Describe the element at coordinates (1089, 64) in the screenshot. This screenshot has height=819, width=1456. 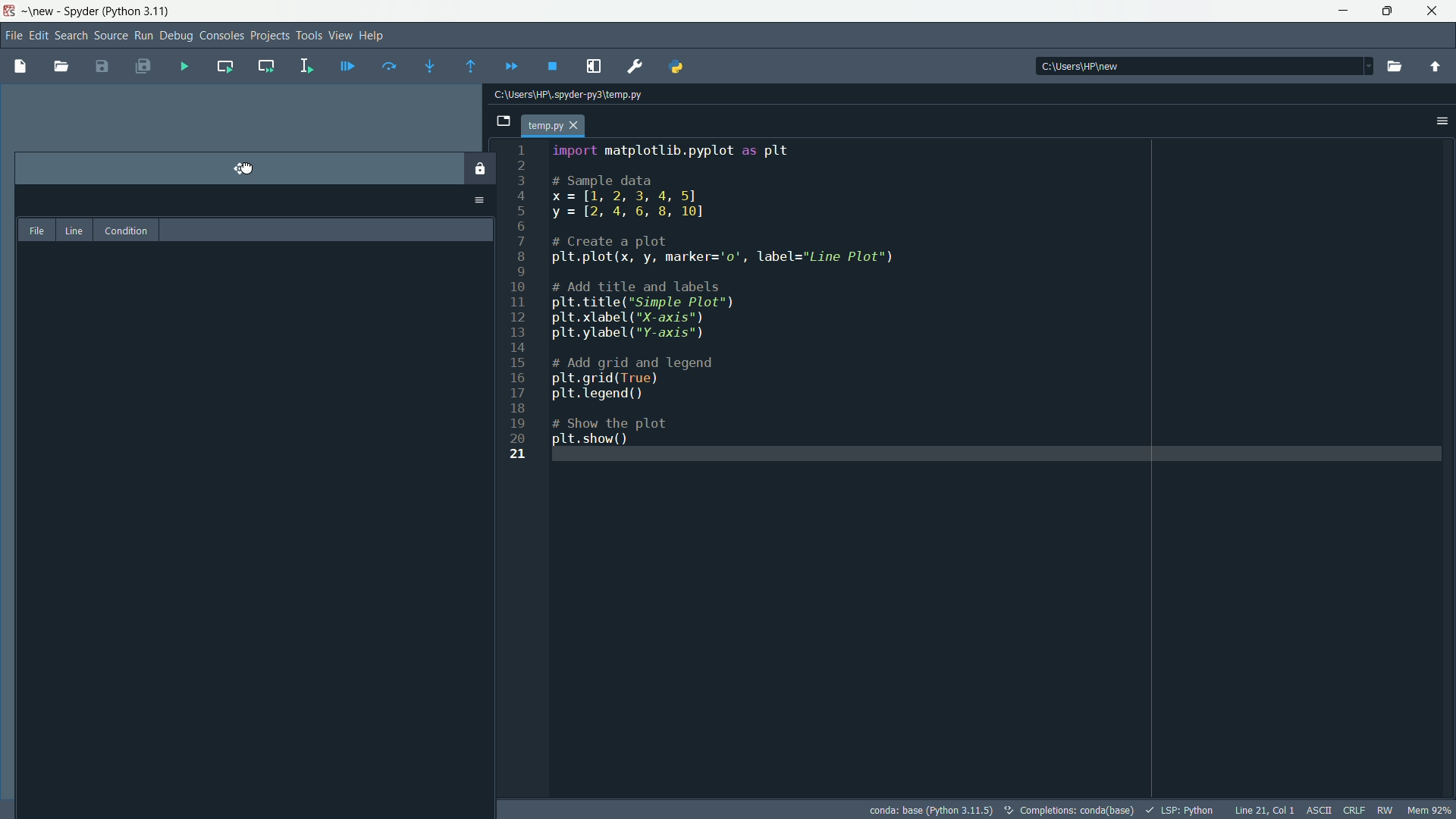
I see `C:\Users\HP\new` at that location.